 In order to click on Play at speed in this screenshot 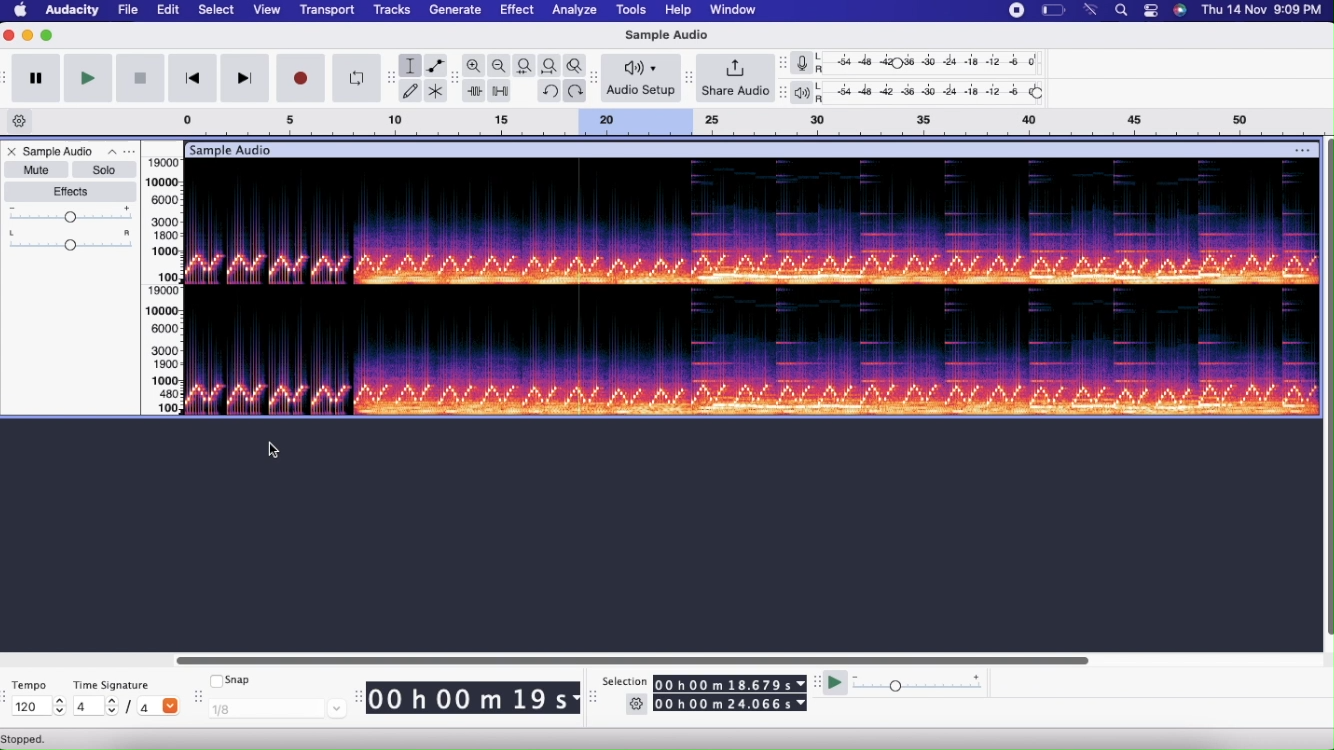, I will do `click(833, 681)`.